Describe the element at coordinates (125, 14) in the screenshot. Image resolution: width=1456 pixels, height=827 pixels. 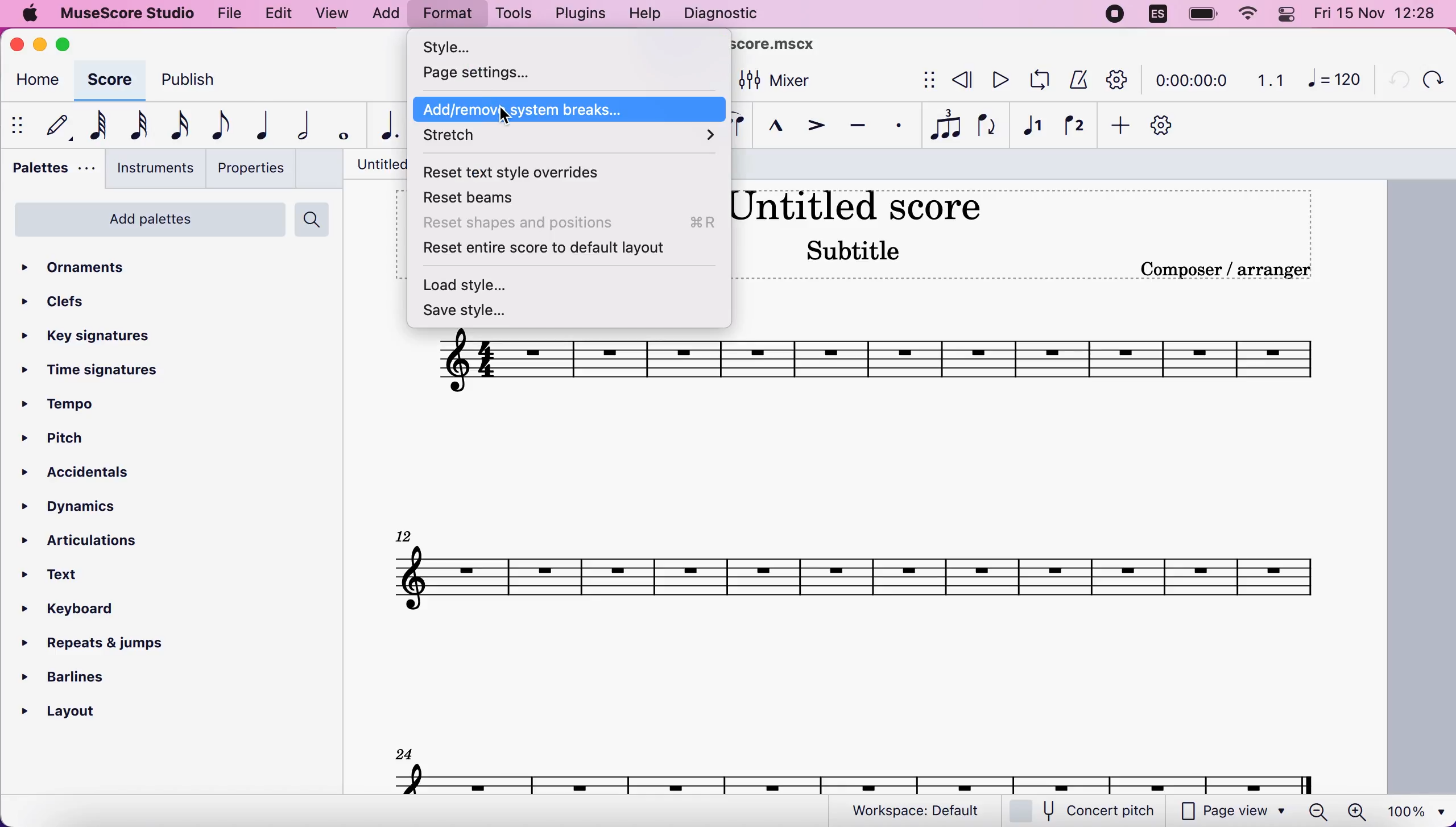
I see `musescore studio` at that location.